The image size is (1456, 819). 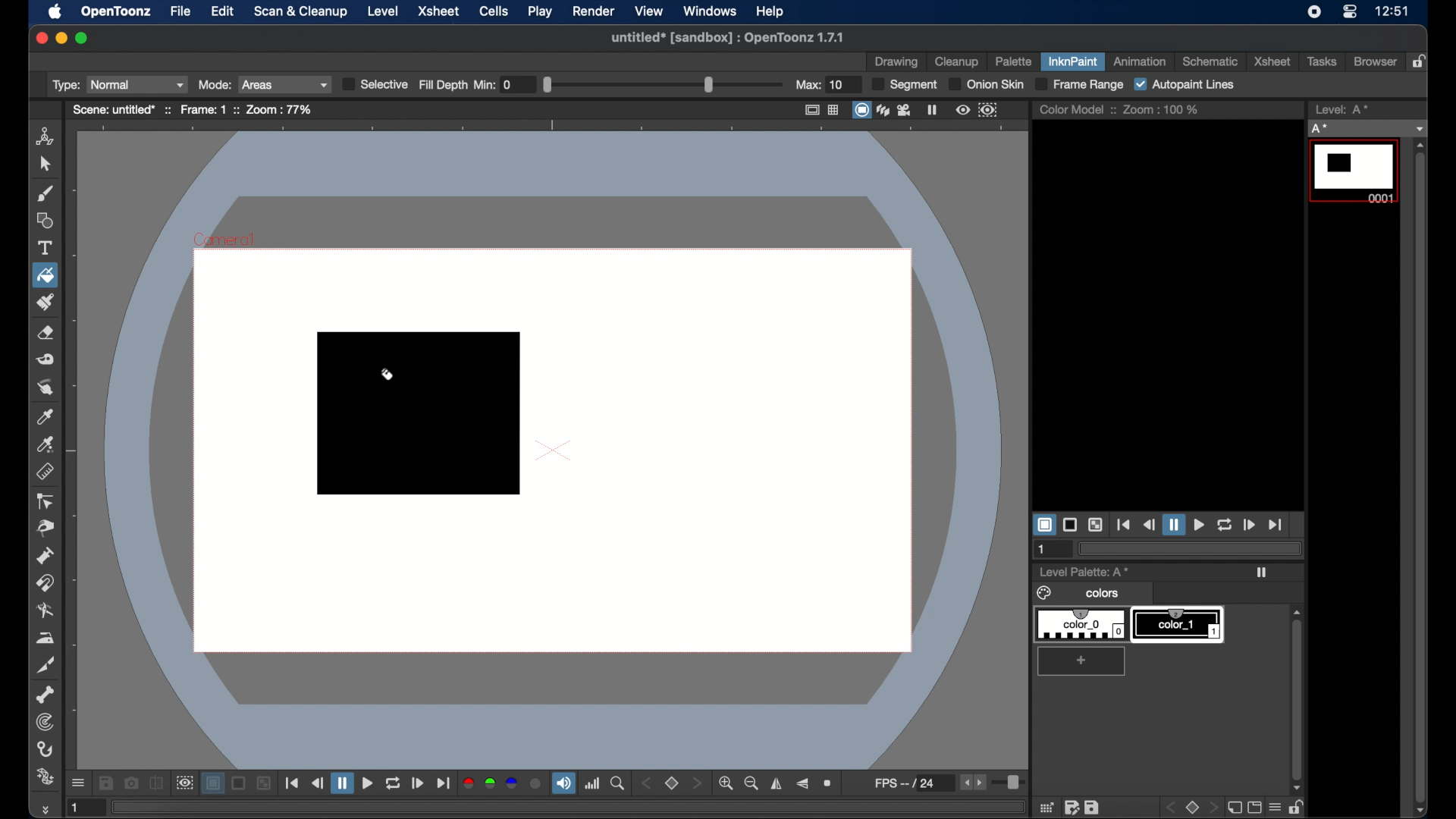 What do you see at coordinates (1043, 525) in the screenshot?
I see `white background` at bounding box center [1043, 525].